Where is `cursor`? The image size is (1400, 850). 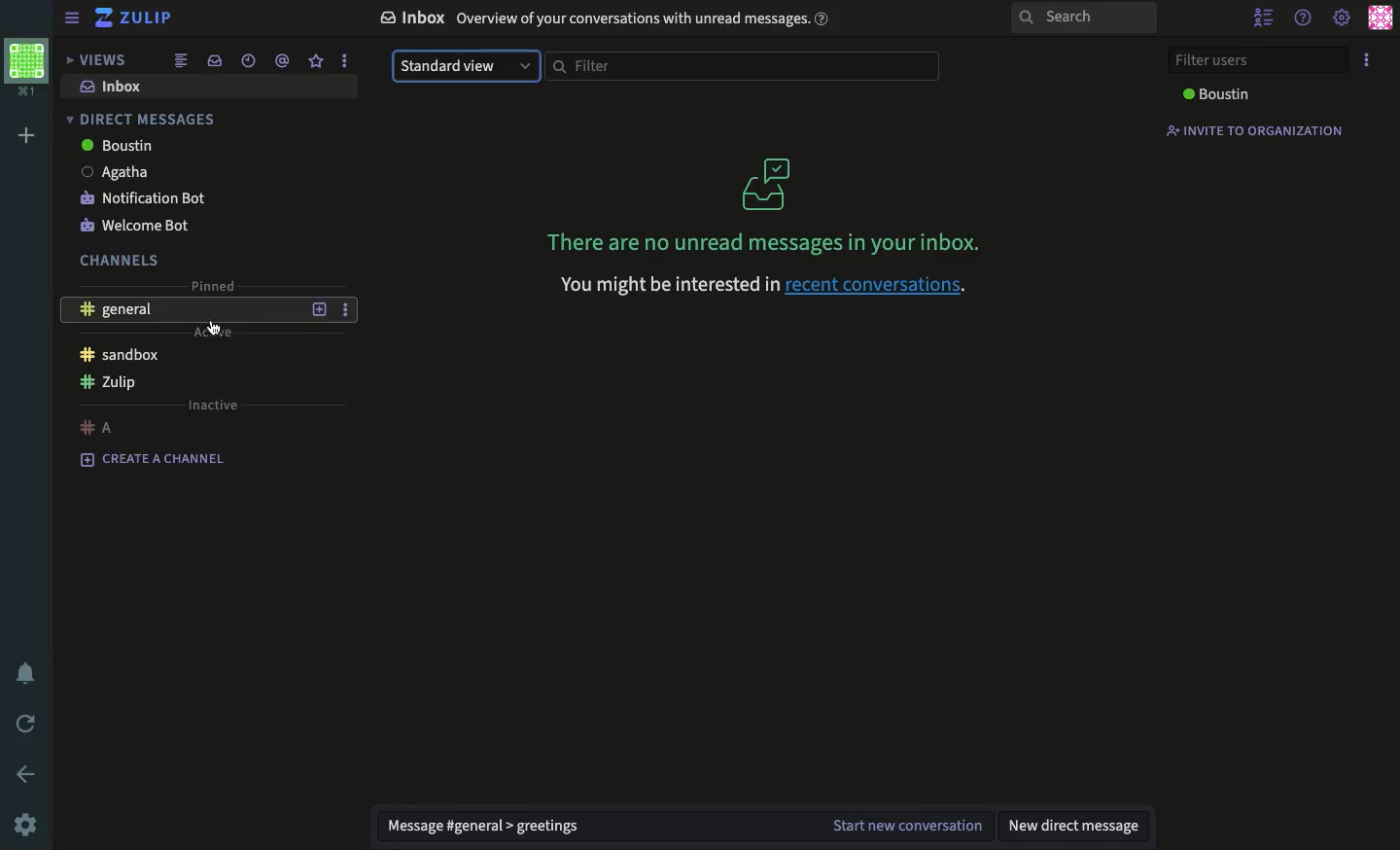 cursor is located at coordinates (214, 324).